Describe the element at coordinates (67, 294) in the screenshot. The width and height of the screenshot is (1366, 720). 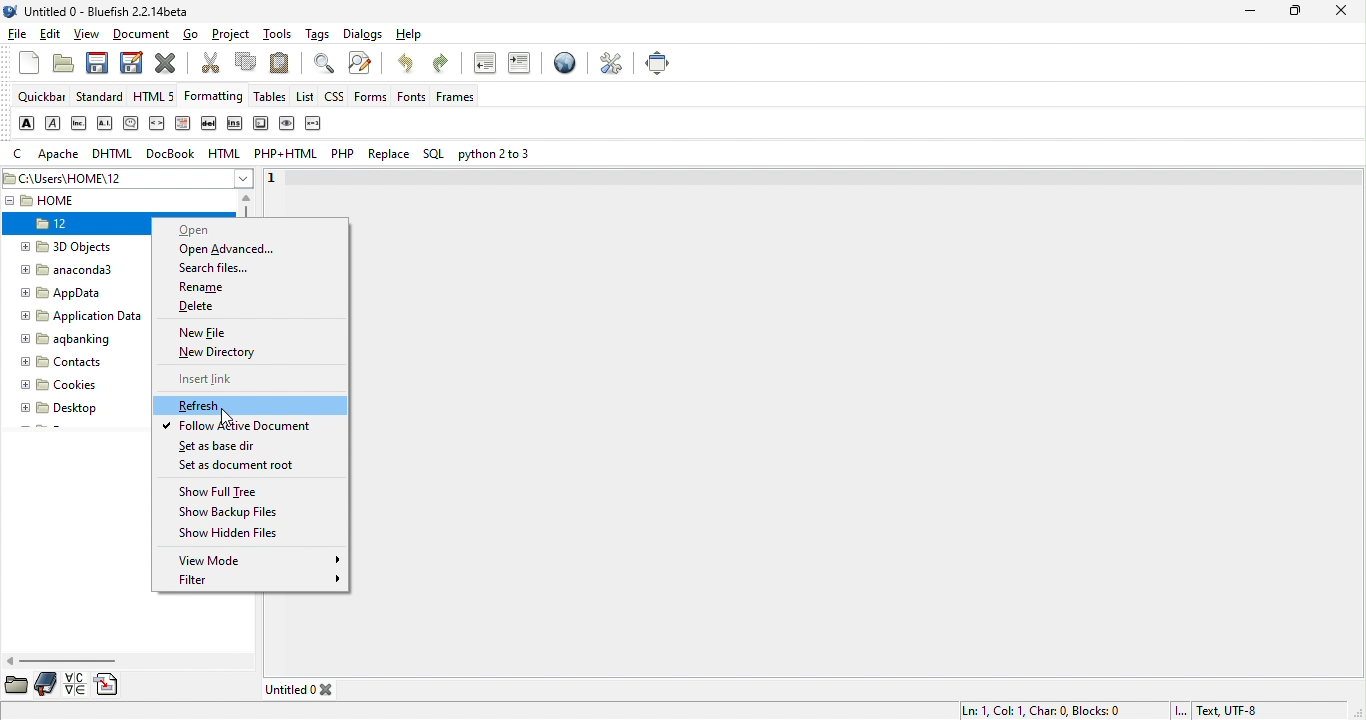
I see `appdata` at that location.